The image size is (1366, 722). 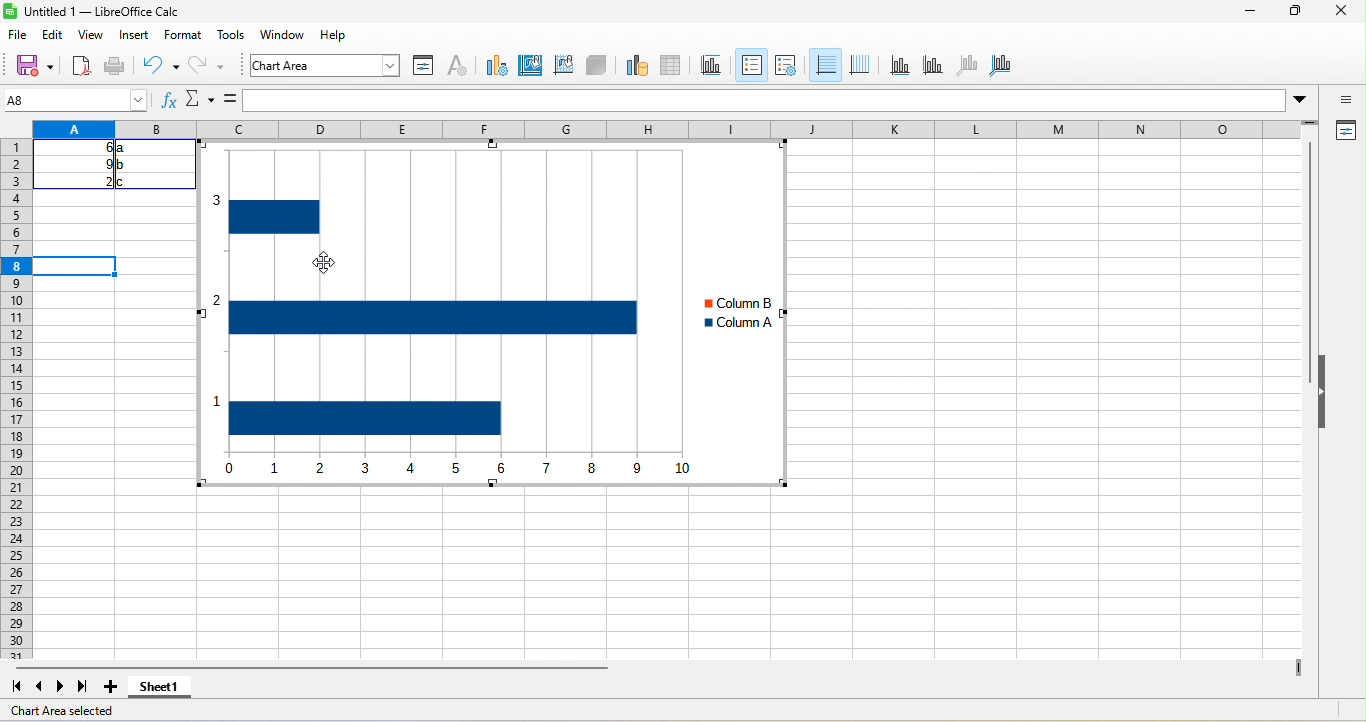 What do you see at coordinates (19, 421) in the screenshot?
I see `rows` at bounding box center [19, 421].